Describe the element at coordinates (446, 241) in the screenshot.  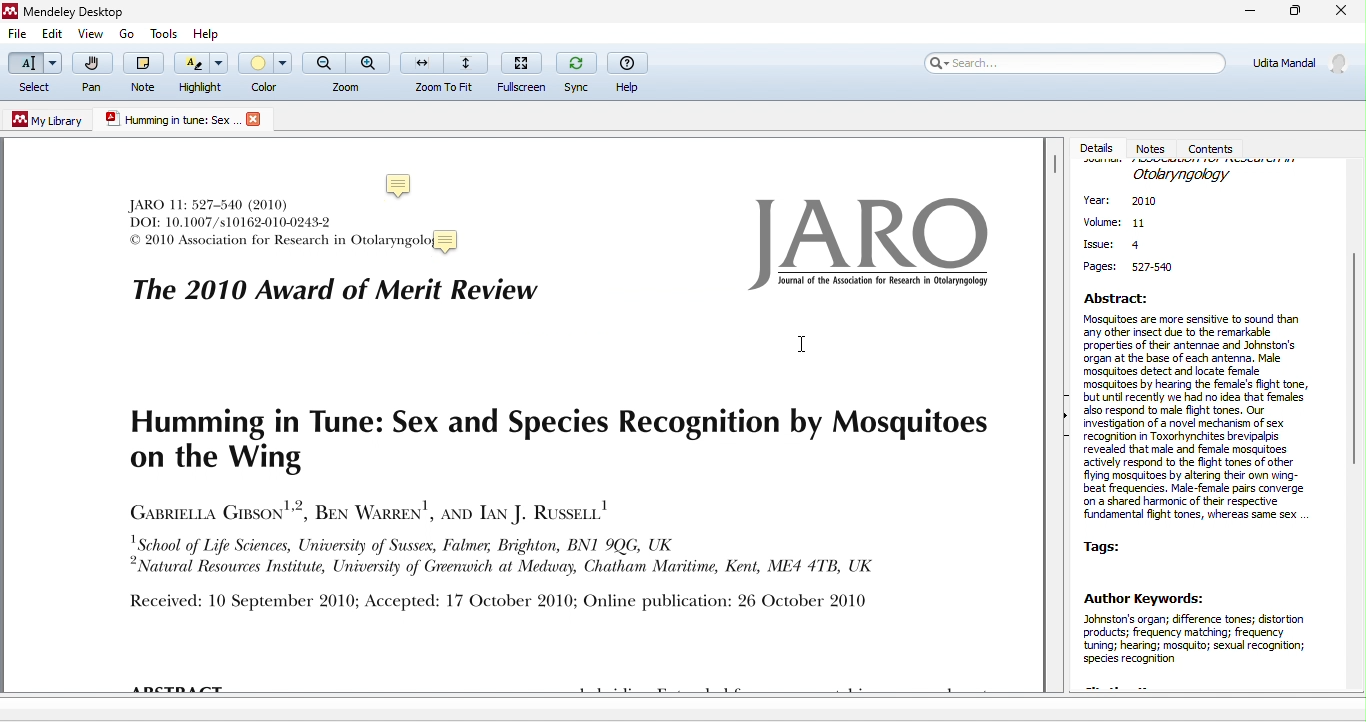
I see `Added a sticky note to a PDF` at that location.